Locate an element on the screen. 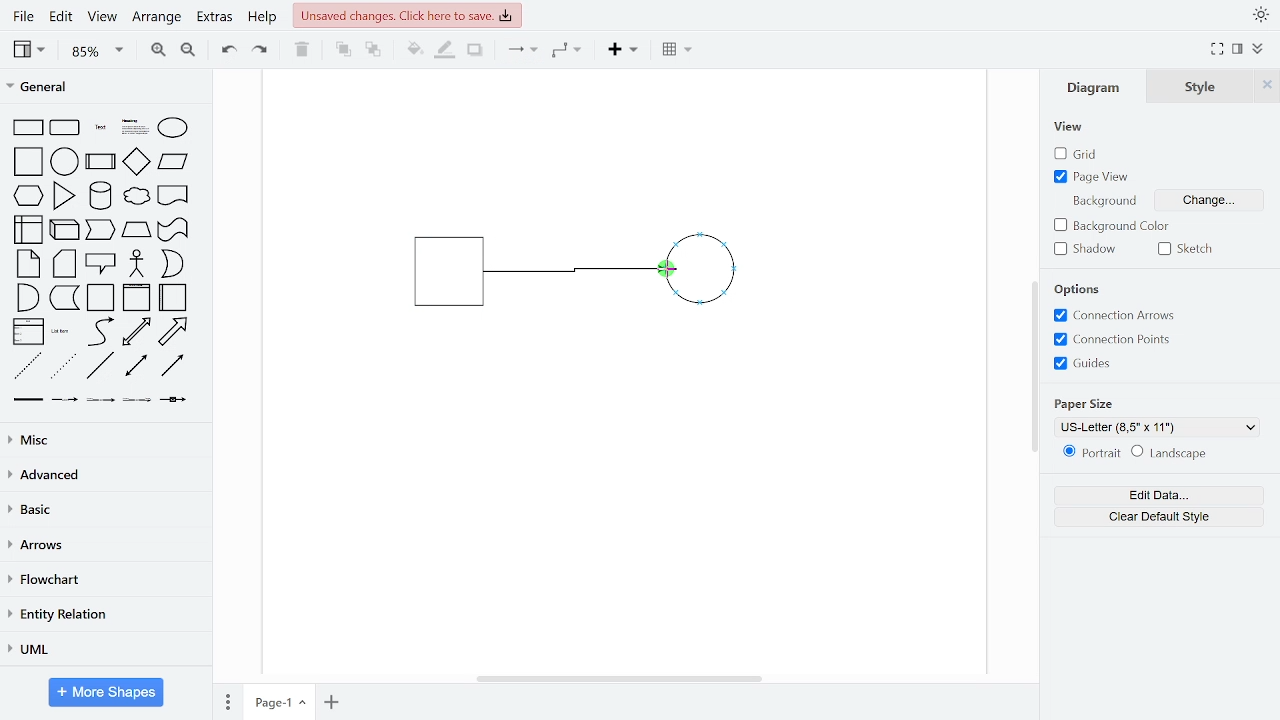 This screenshot has width=1280, height=720. arrows is located at coordinates (103, 546).